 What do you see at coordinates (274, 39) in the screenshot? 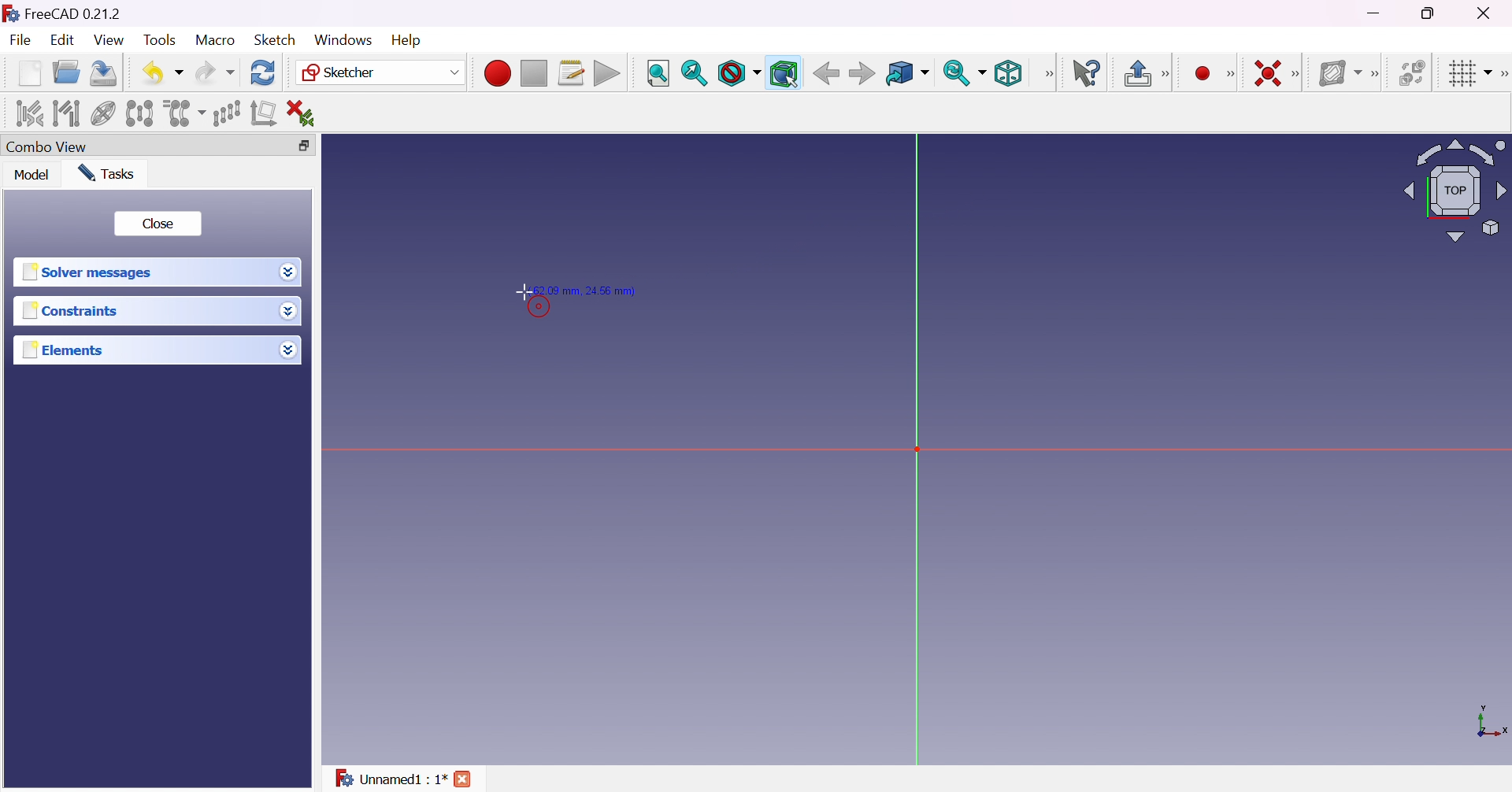
I see `Sketch` at bounding box center [274, 39].